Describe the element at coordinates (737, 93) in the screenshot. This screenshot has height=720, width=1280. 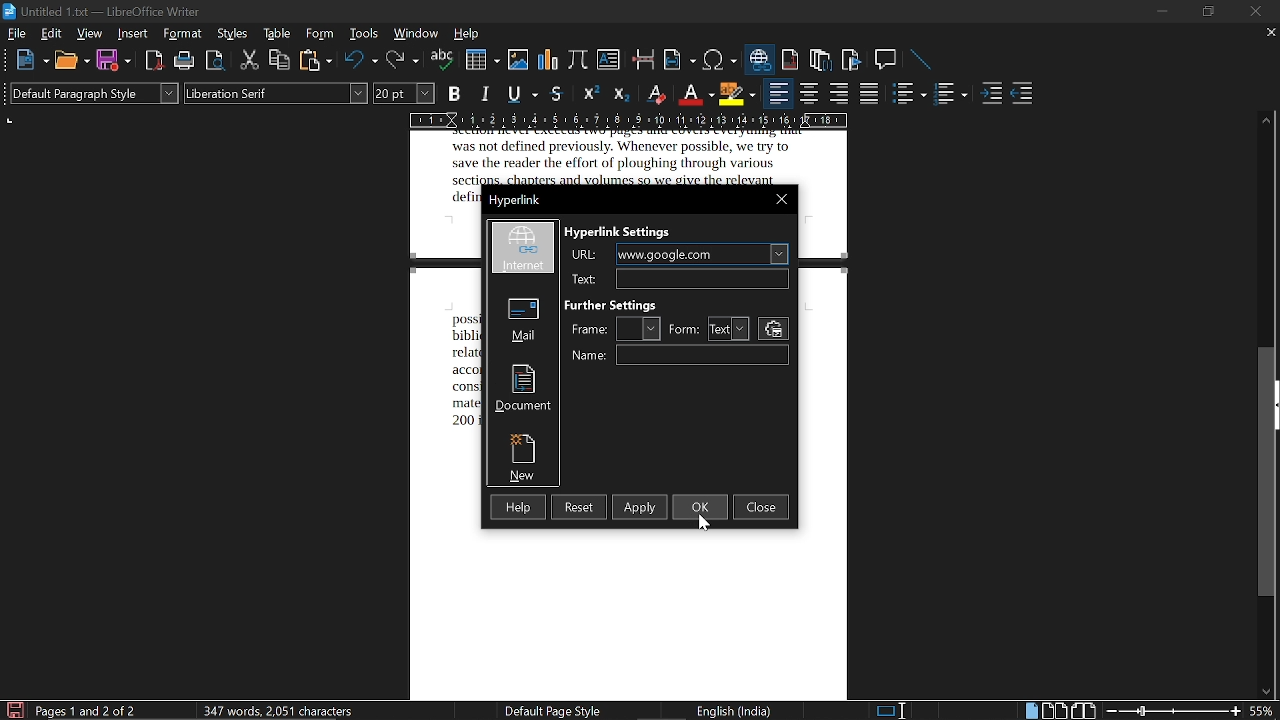
I see `highlight` at that location.